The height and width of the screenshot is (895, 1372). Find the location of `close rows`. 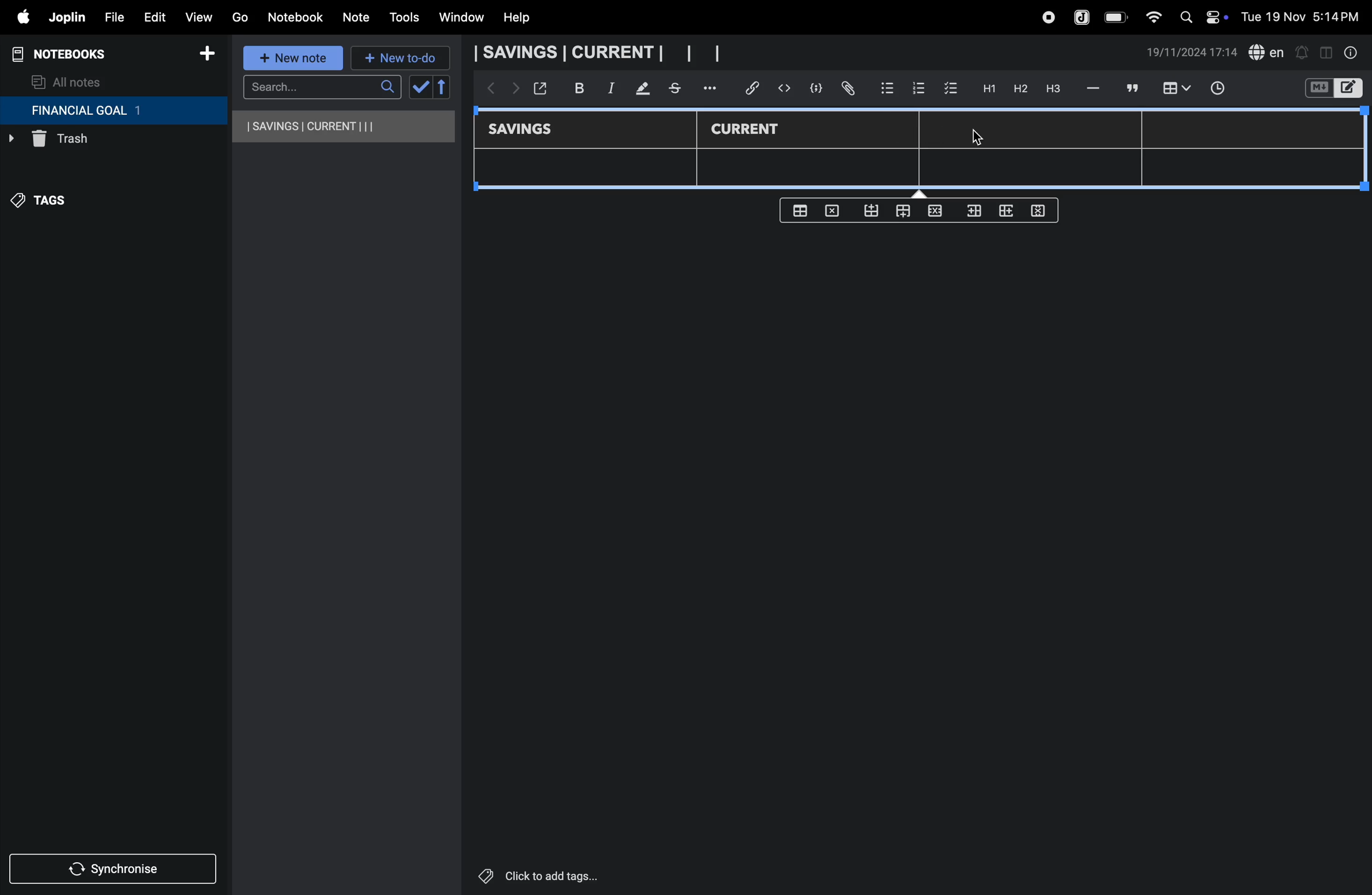

close rows is located at coordinates (933, 213).